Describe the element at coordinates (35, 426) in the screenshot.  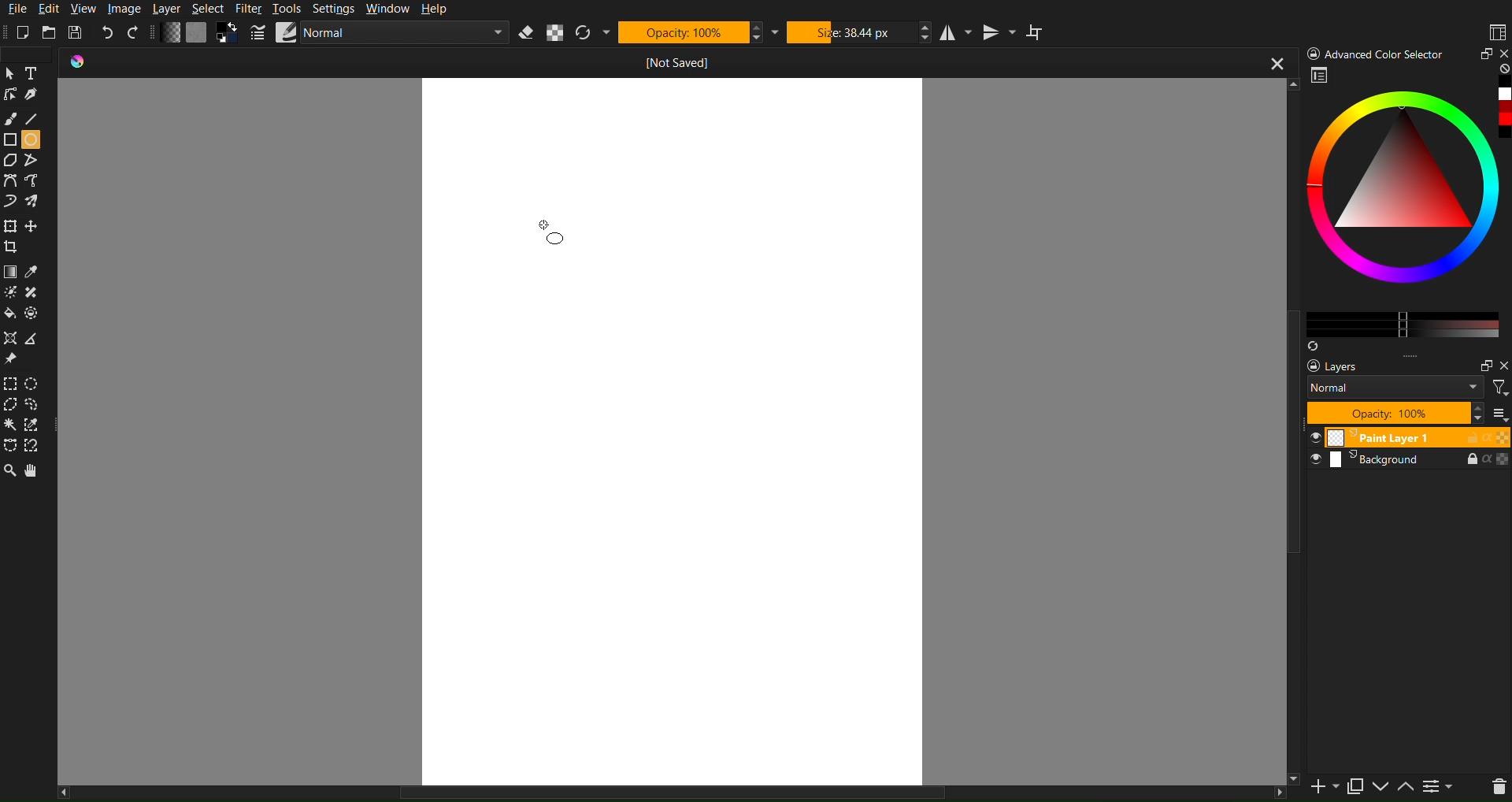
I see `Selction dropper` at that location.